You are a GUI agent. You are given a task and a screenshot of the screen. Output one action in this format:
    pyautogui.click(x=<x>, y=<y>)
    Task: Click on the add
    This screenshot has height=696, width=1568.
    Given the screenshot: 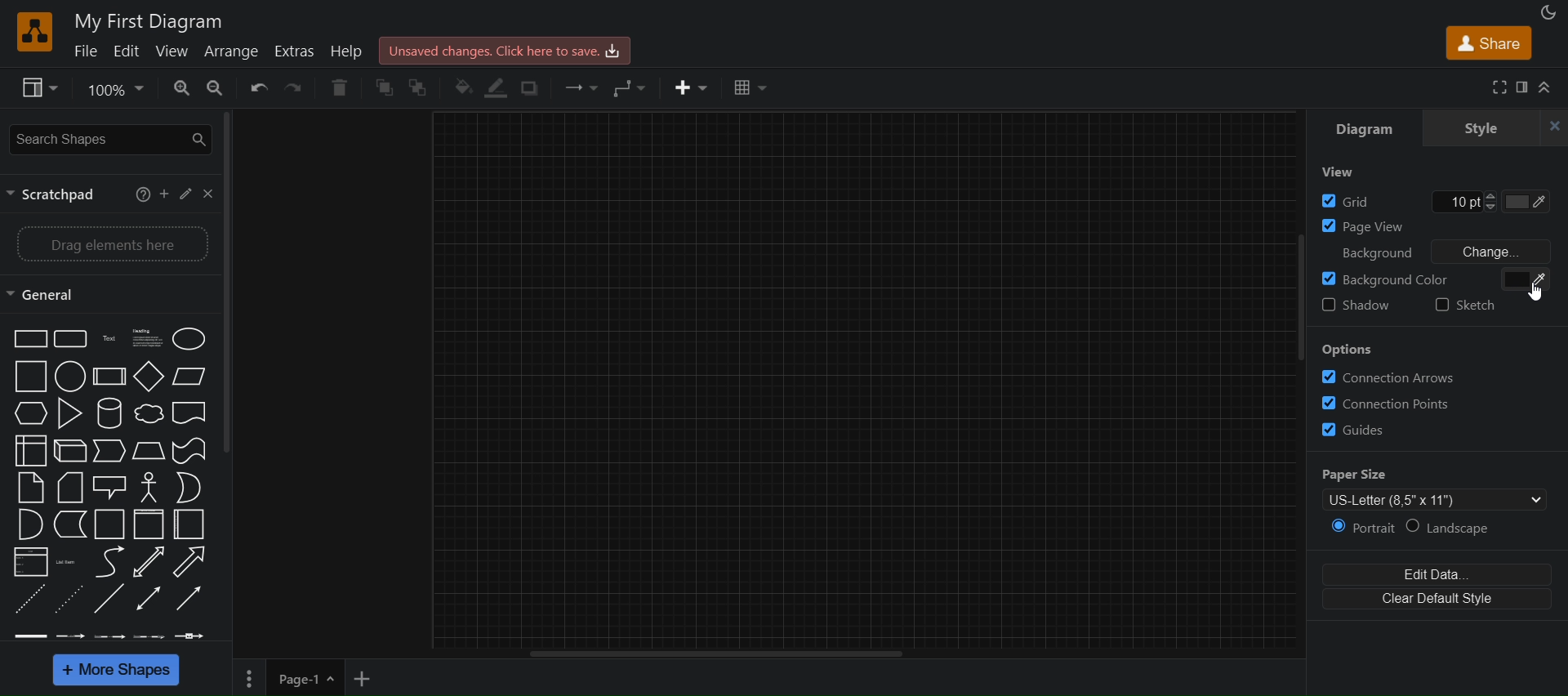 What is the action you would take?
    pyautogui.click(x=166, y=196)
    